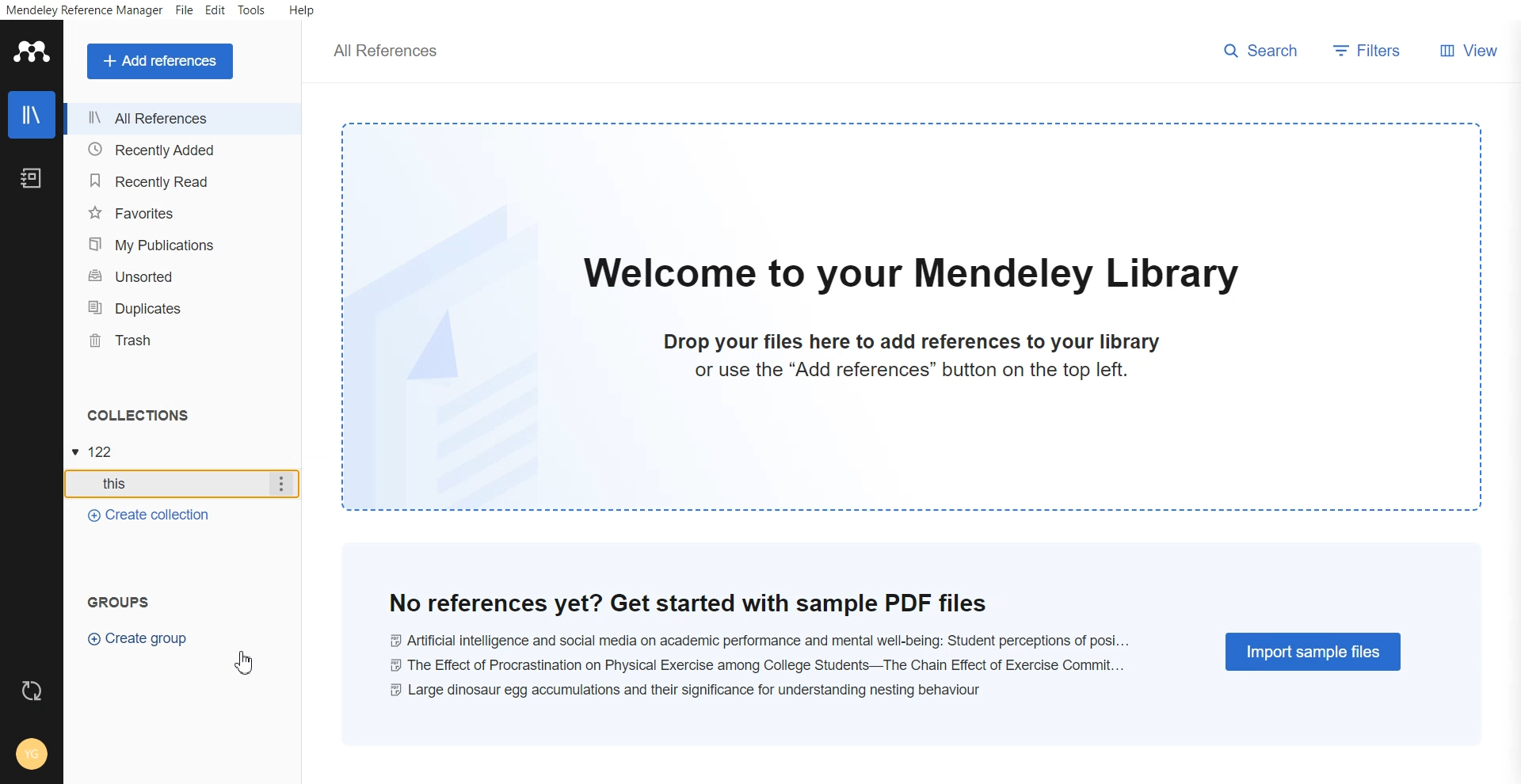 The image size is (1521, 784). What do you see at coordinates (147, 516) in the screenshot?
I see `Create collections` at bounding box center [147, 516].